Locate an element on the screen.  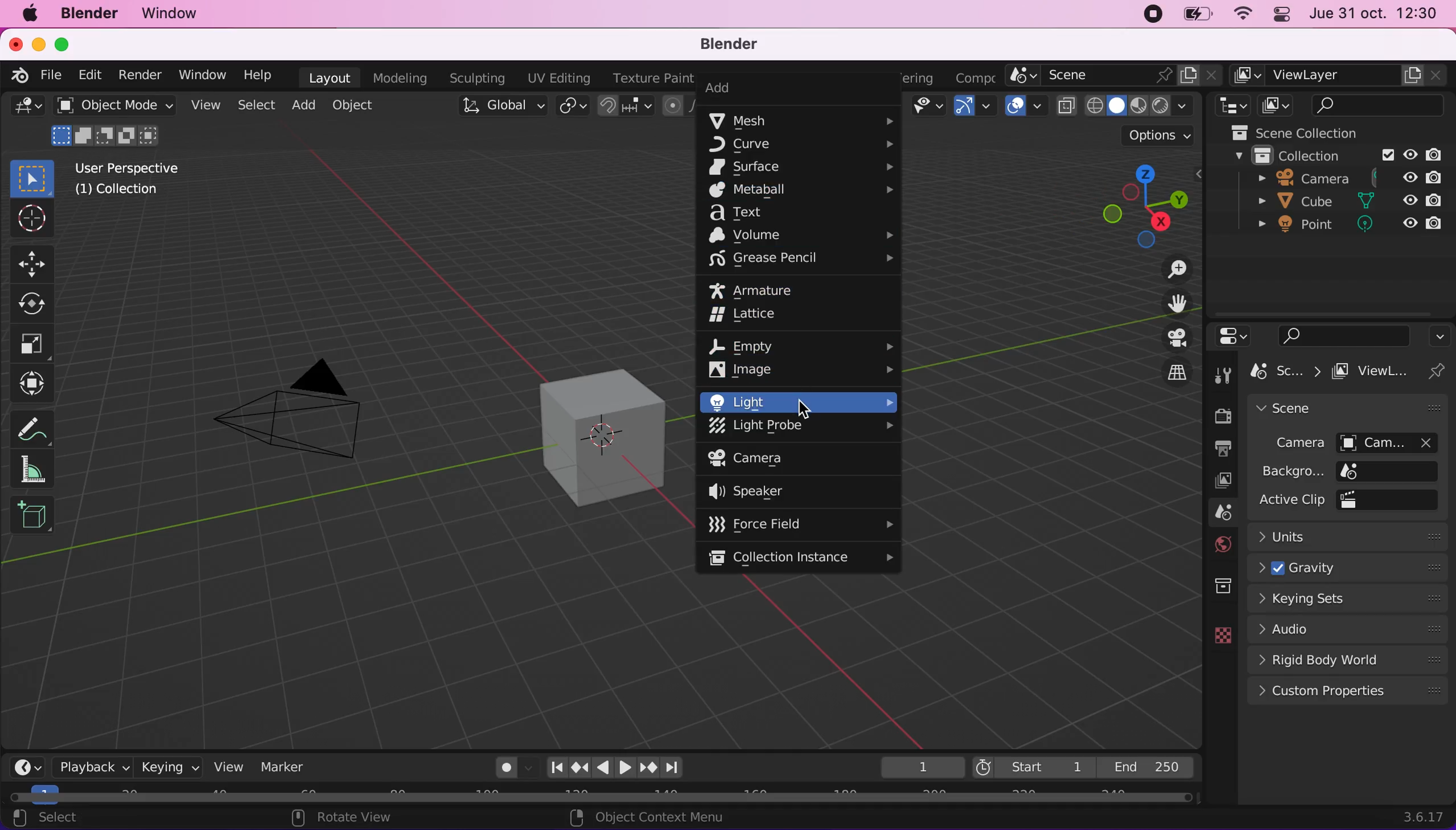
panel control is located at coordinates (1284, 15).